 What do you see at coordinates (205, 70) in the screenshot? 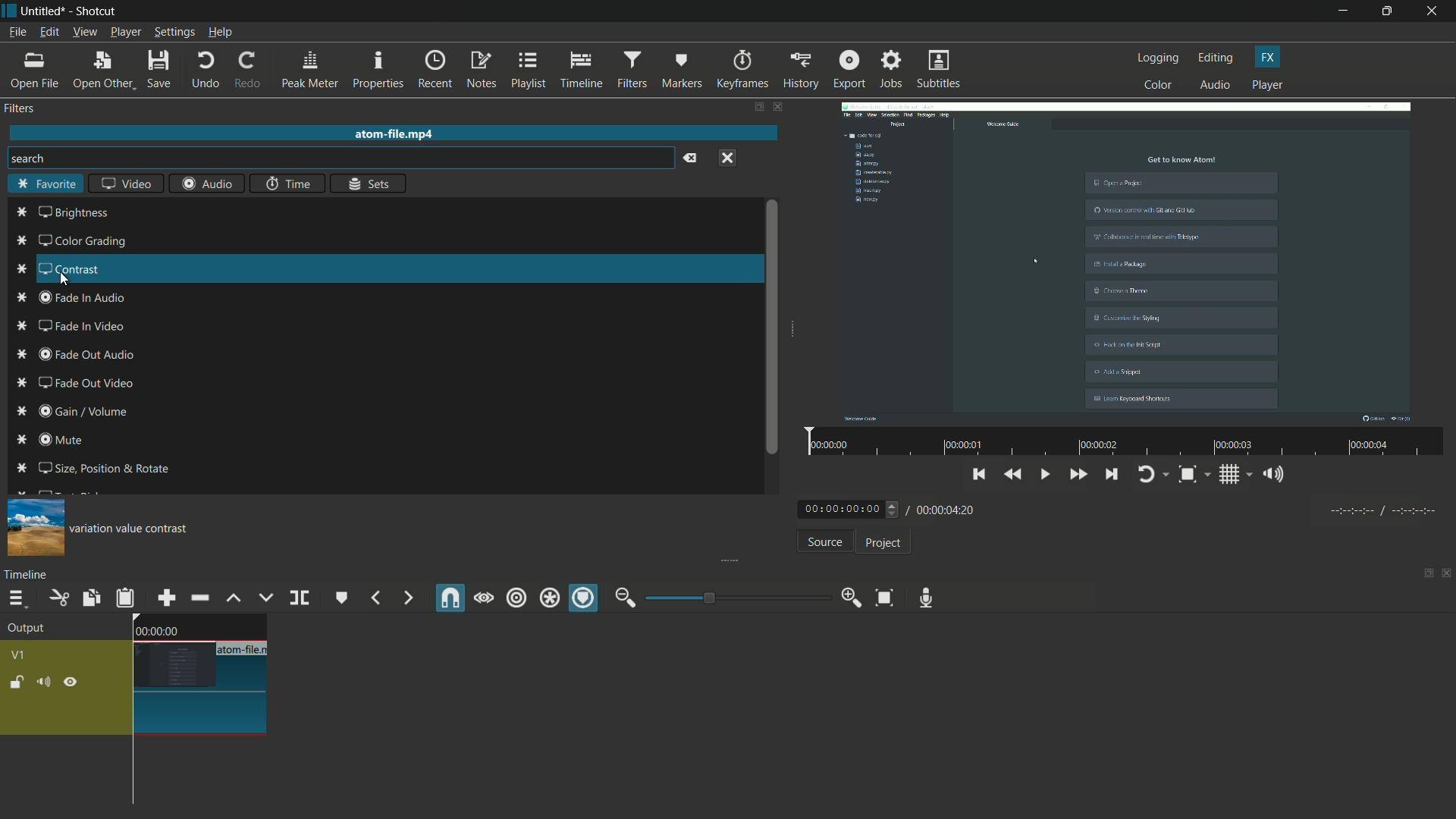
I see `undo` at bounding box center [205, 70].